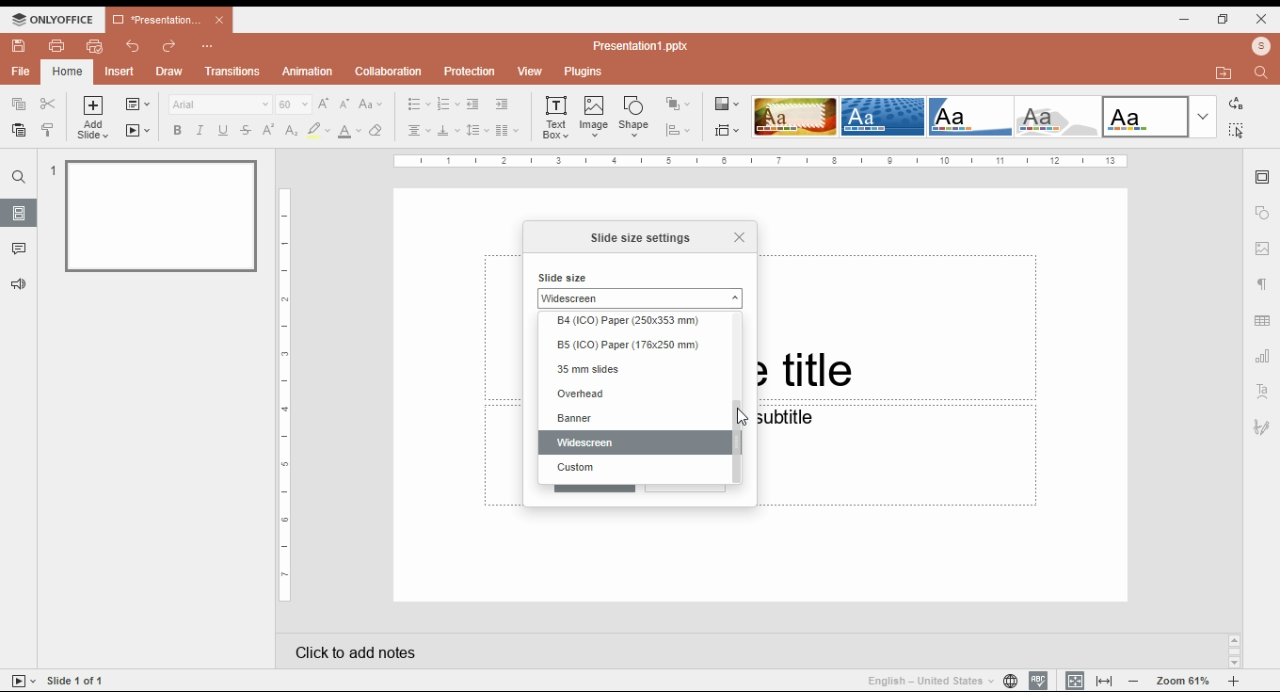 The width and height of the screenshot is (1280, 692). What do you see at coordinates (232, 71) in the screenshot?
I see `transitions` at bounding box center [232, 71].